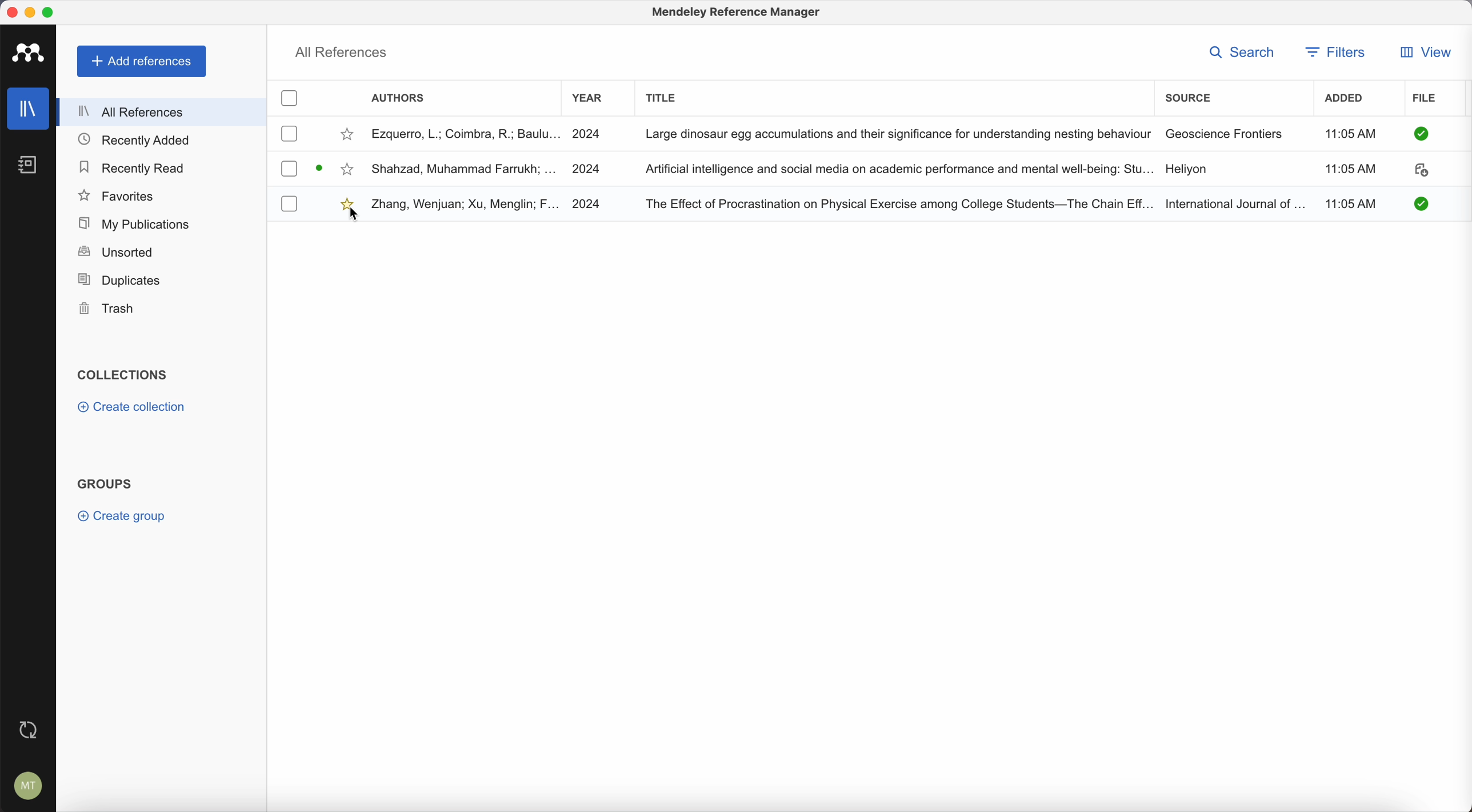 The width and height of the screenshot is (1472, 812). What do you see at coordinates (131, 409) in the screenshot?
I see `create collection` at bounding box center [131, 409].